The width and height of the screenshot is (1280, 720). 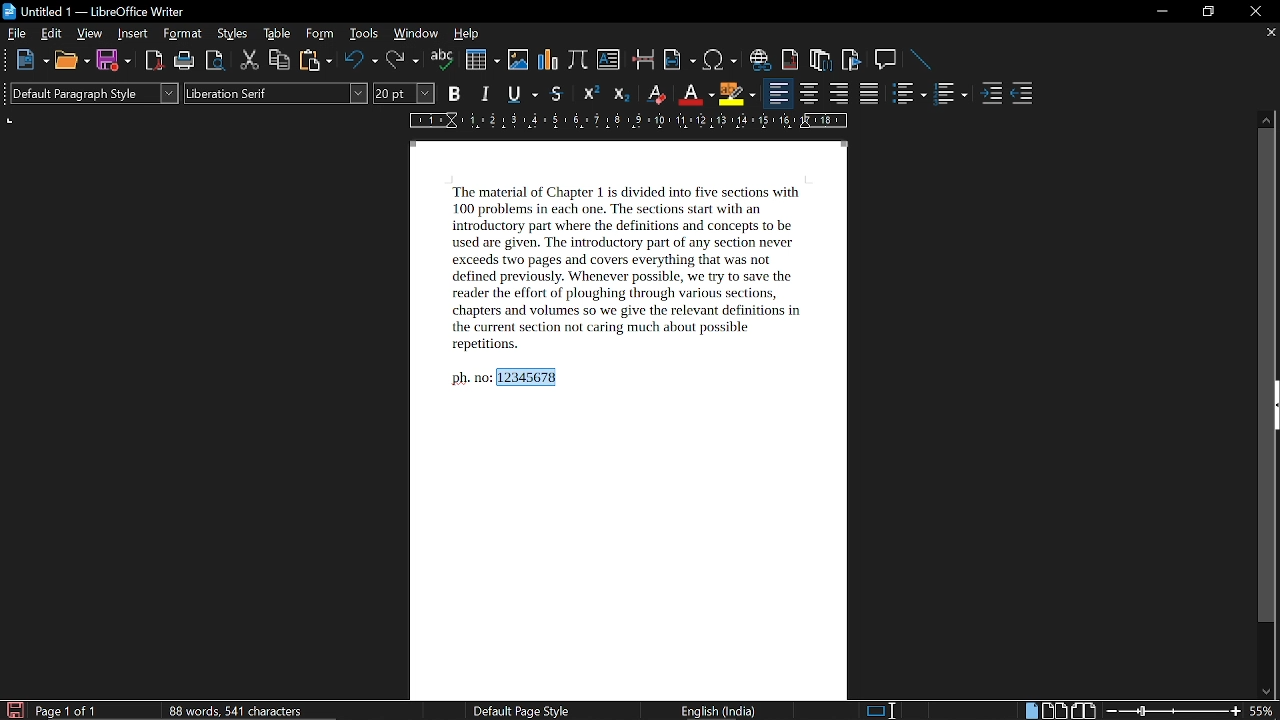 I want to click on bold, so click(x=453, y=95).